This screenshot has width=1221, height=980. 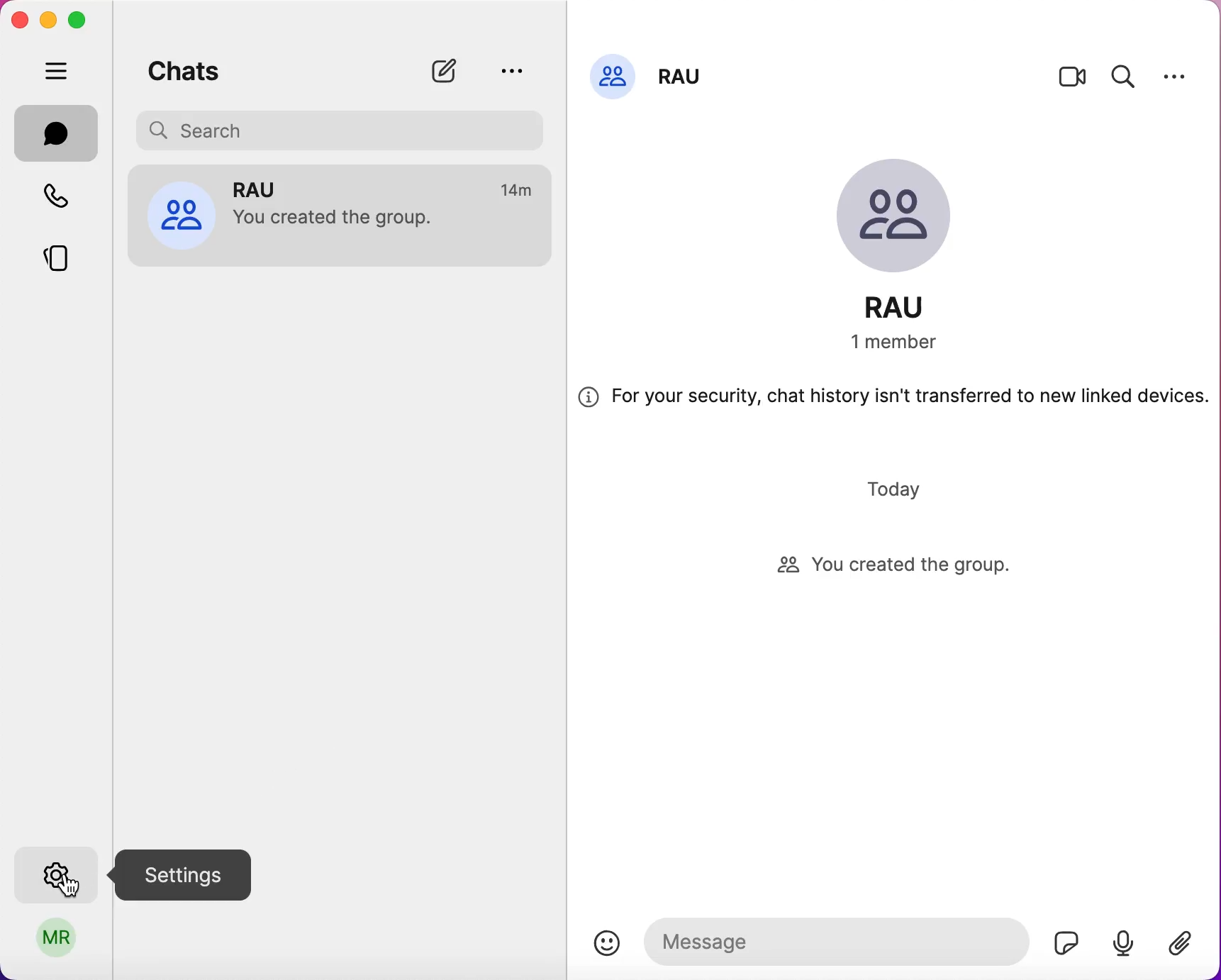 What do you see at coordinates (52, 262) in the screenshot?
I see `stories` at bounding box center [52, 262].